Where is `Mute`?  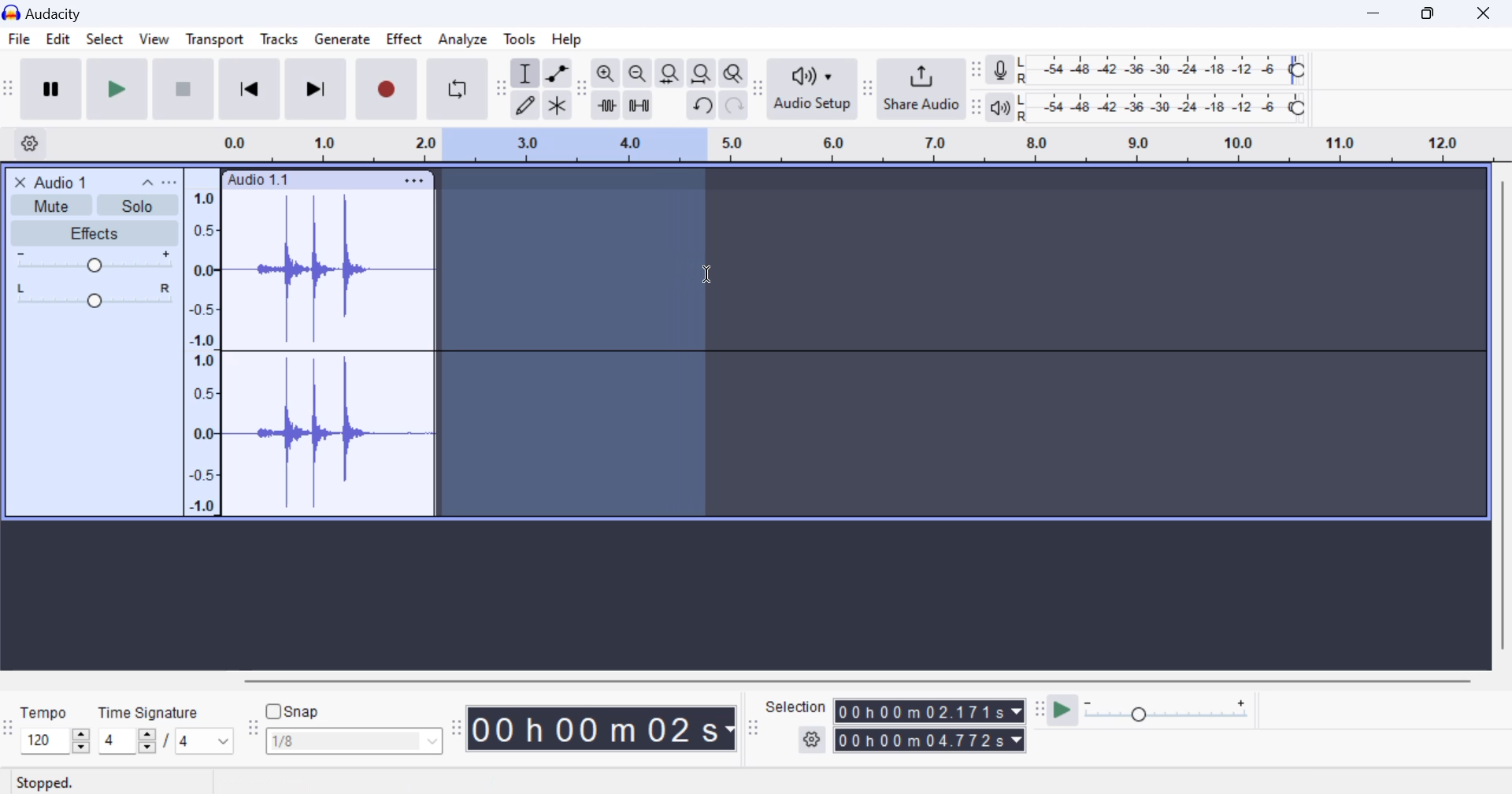 Mute is located at coordinates (54, 204).